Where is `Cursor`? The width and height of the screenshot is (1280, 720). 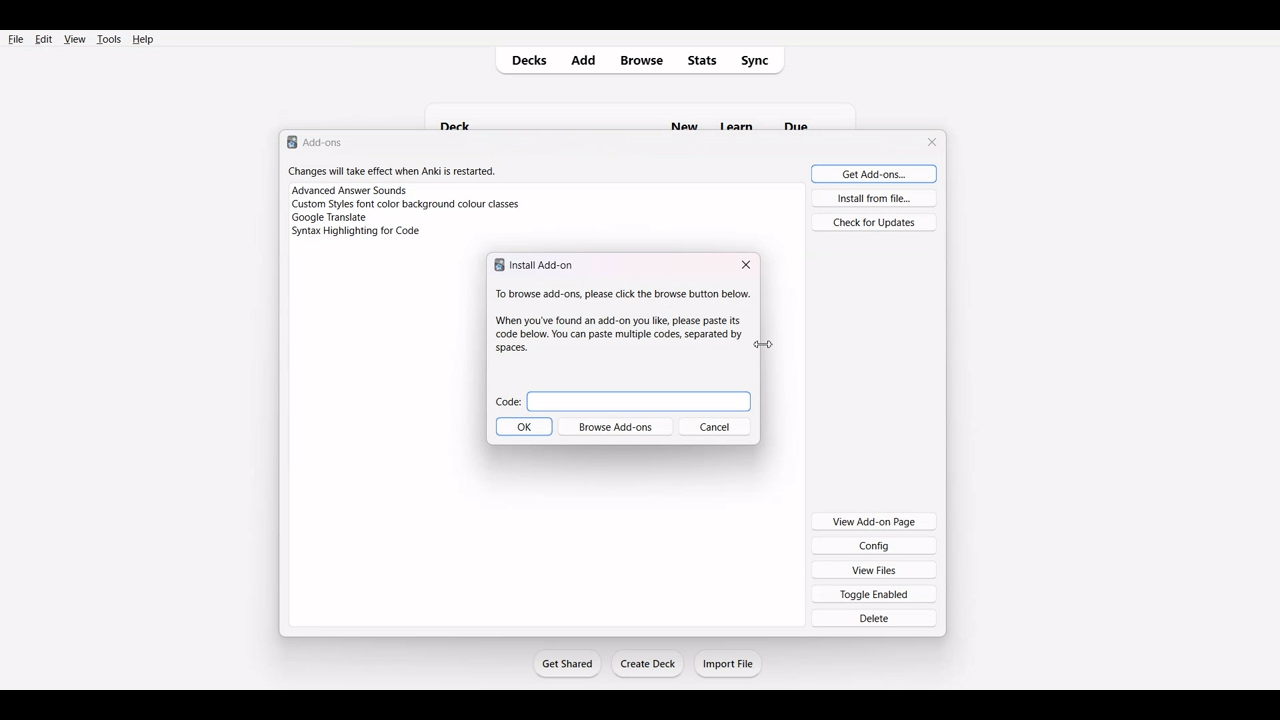
Cursor is located at coordinates (772, 343).